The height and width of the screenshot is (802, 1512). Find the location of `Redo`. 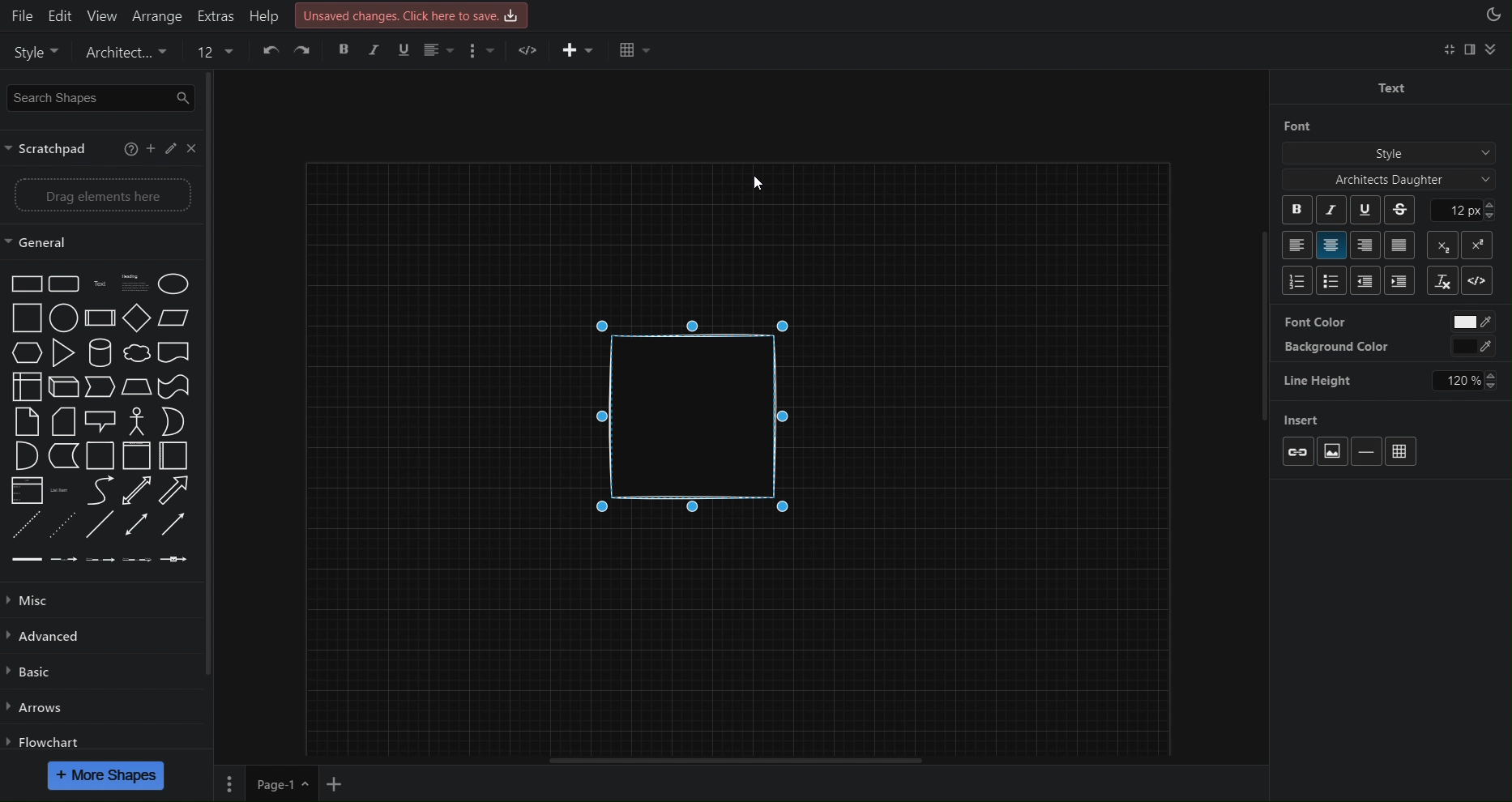

Redo is located at coordinates (271, 52).